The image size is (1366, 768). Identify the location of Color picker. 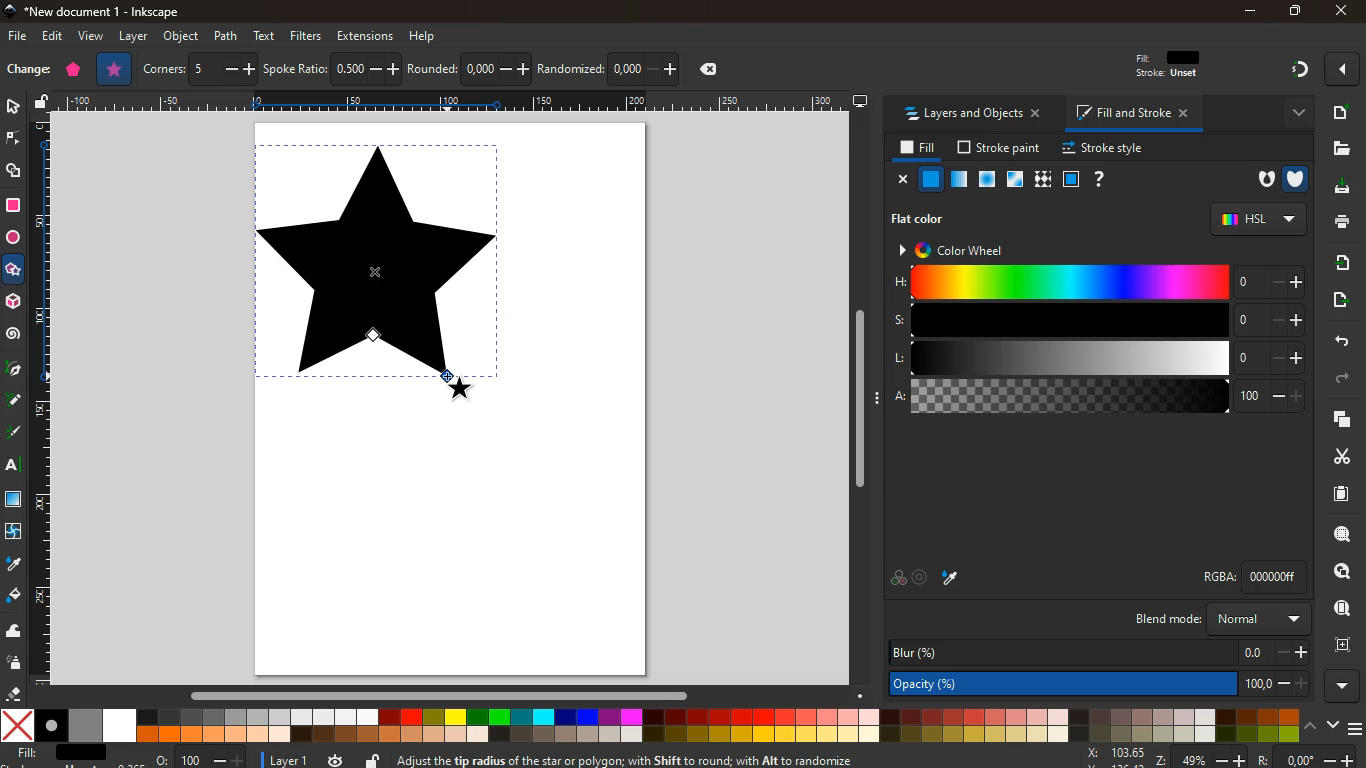
(953, 574).